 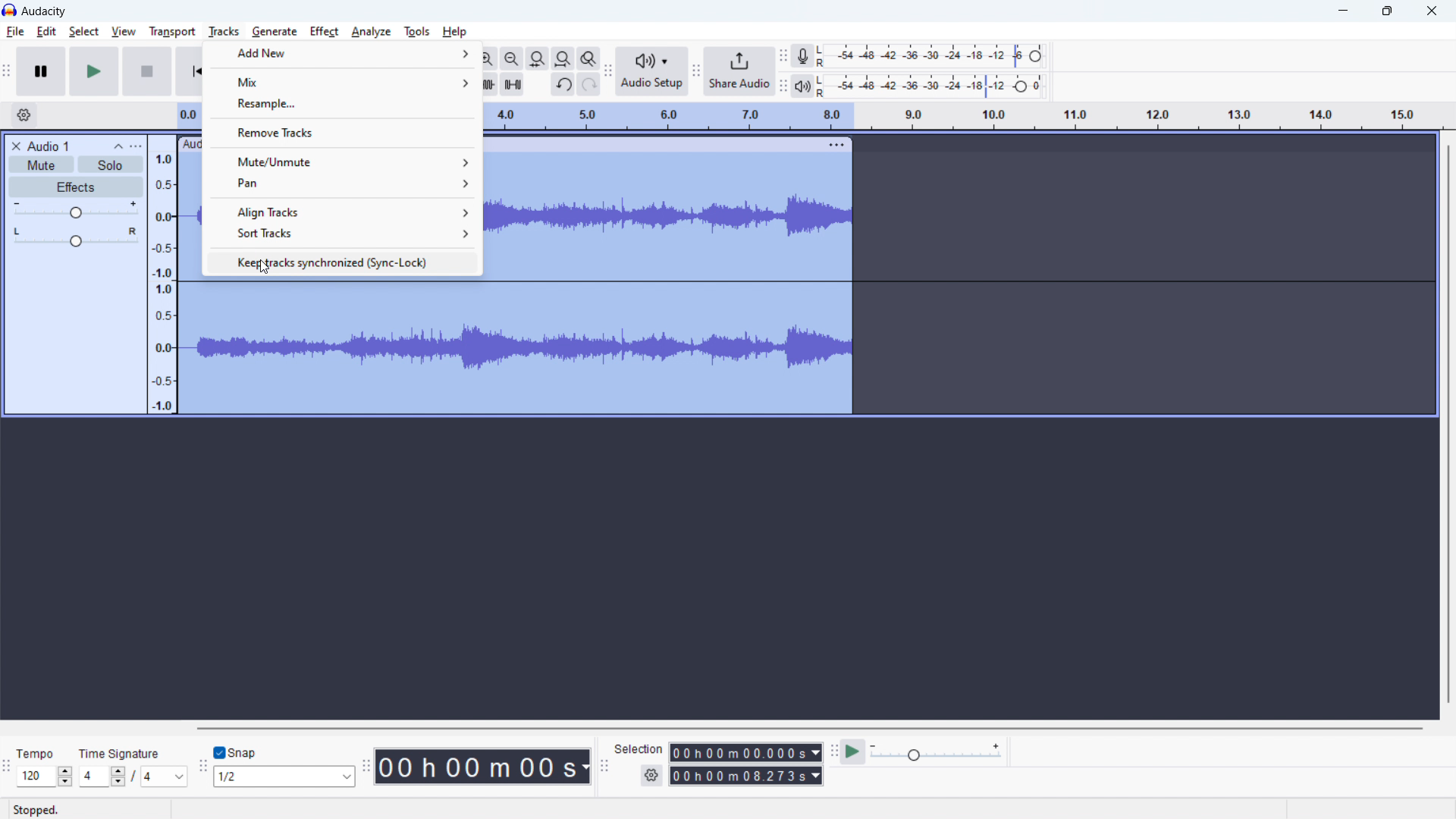 What do you see at coordinates (343, 262) in the screenshot?
I see `keep tracks synchronized (sync-lock)` at bounding box center [343, 262].